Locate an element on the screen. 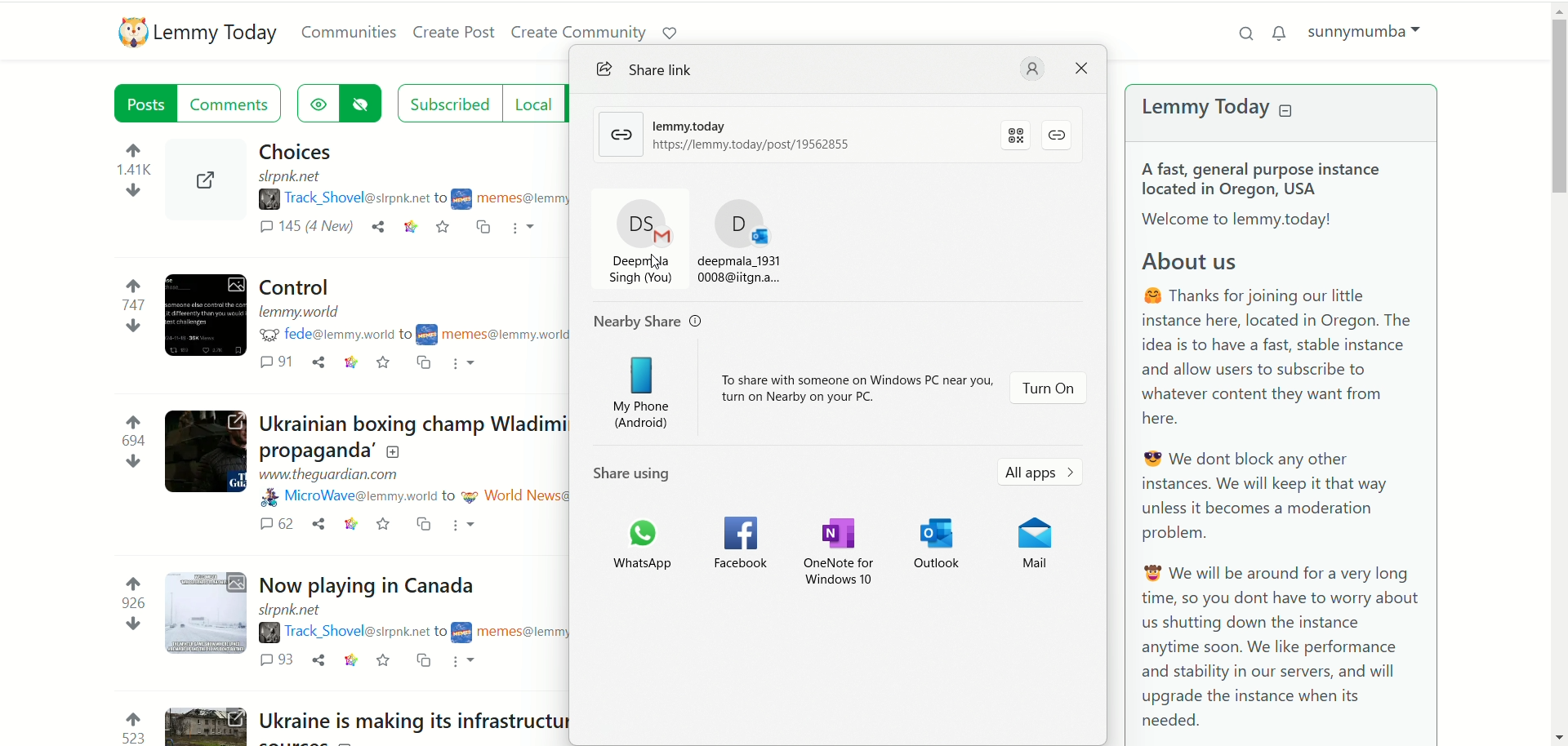 The width and height of the screenshot is (1568, 746). subscribed is located at coordinates (447, 101).